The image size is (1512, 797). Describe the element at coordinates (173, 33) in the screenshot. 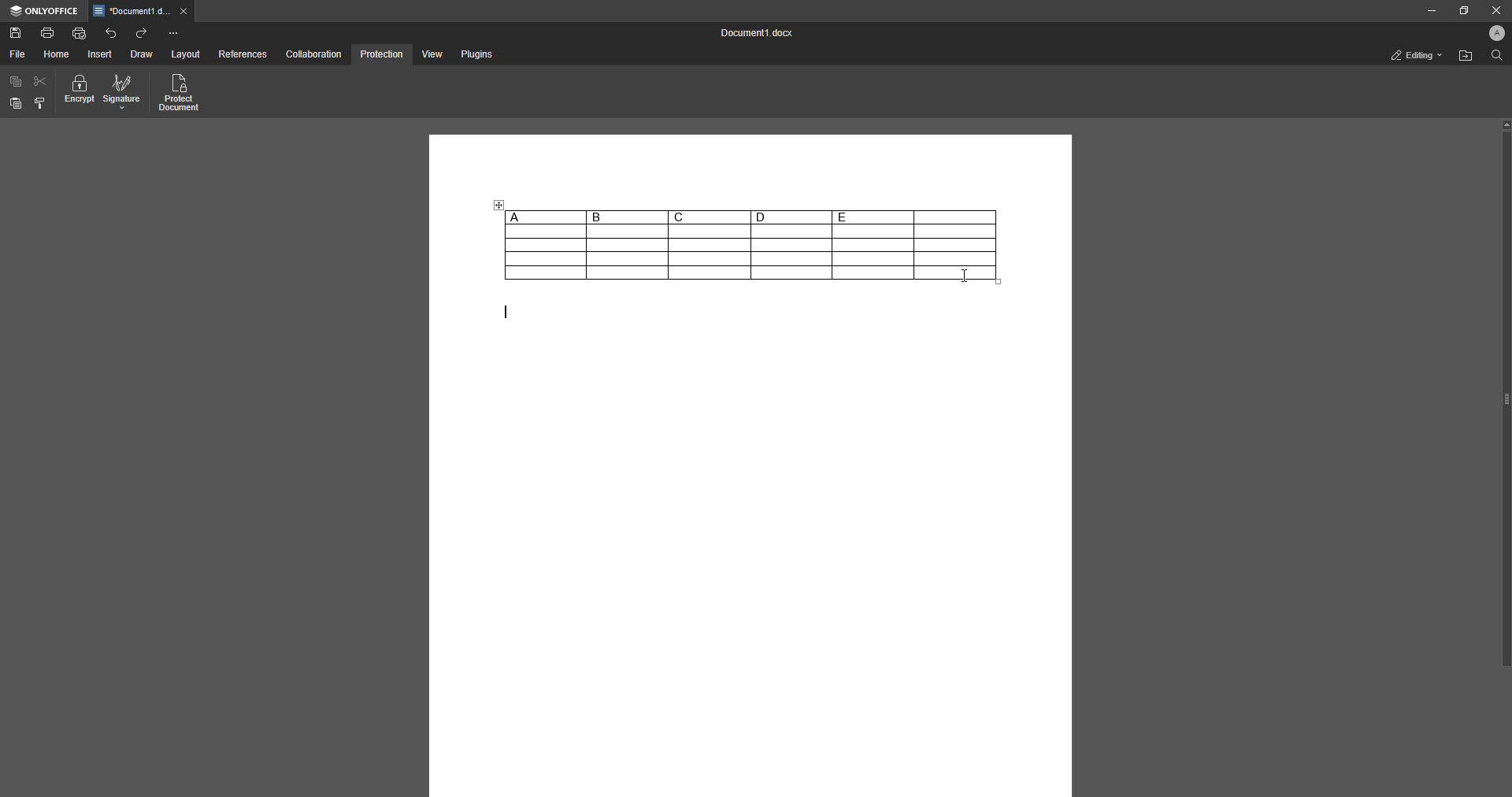

I see `Options` at that location.